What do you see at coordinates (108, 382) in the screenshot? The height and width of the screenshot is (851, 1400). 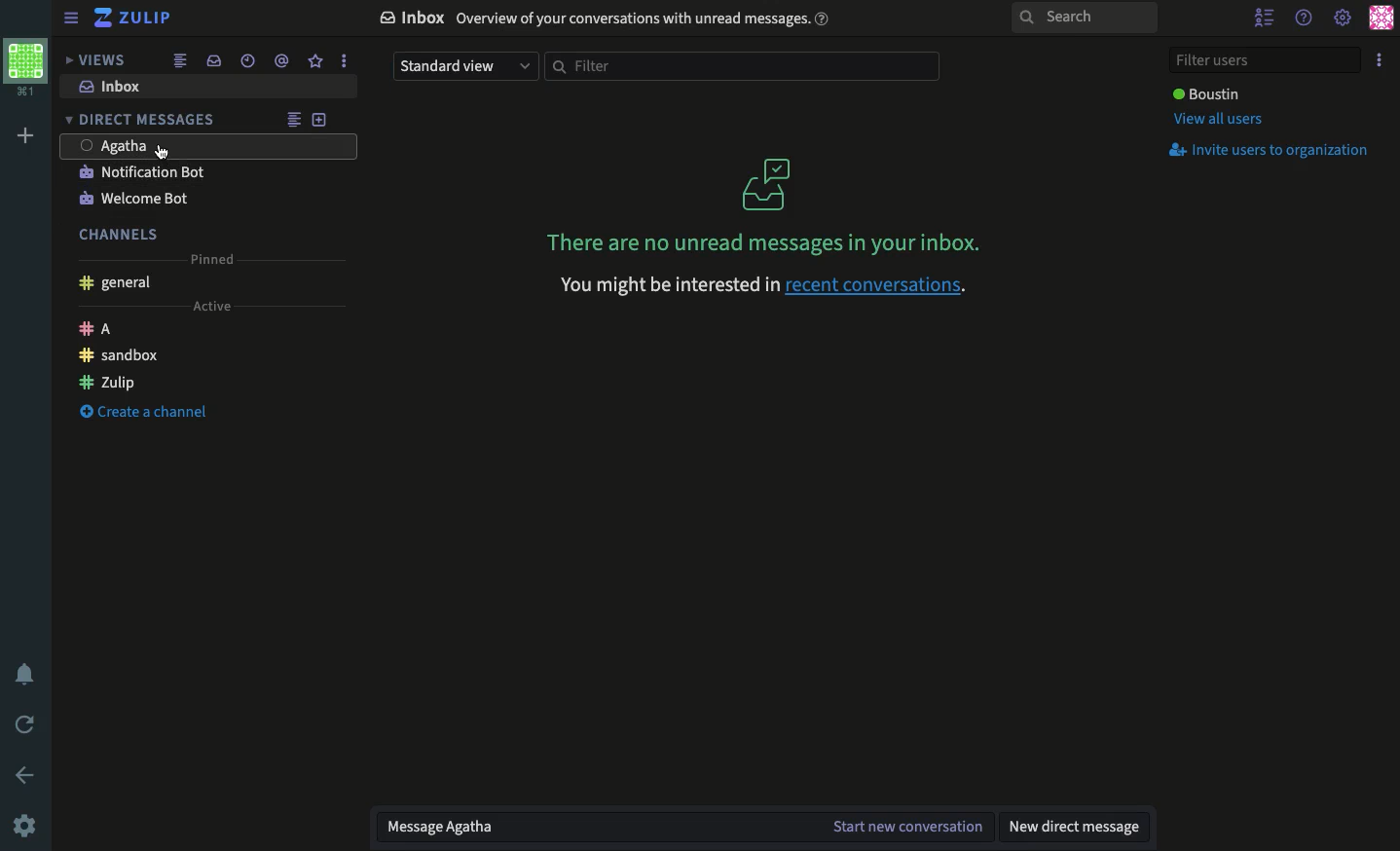 I see `Zulip` at bounding box center [108, 382].